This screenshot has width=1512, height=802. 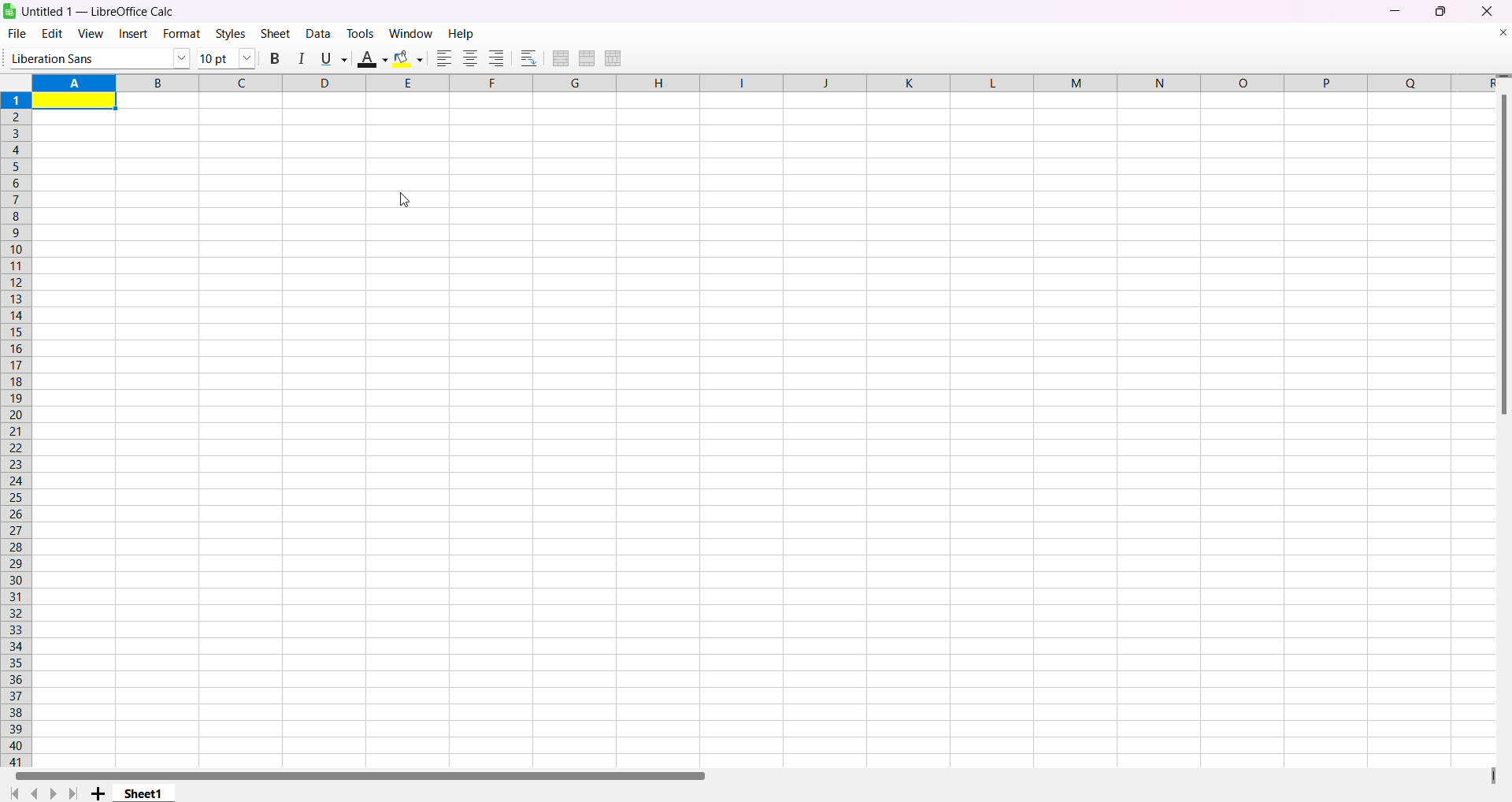 What do you see at coordinates (367, 58) in the screenshot?
I see `text color` at bounding box center [367, 58].